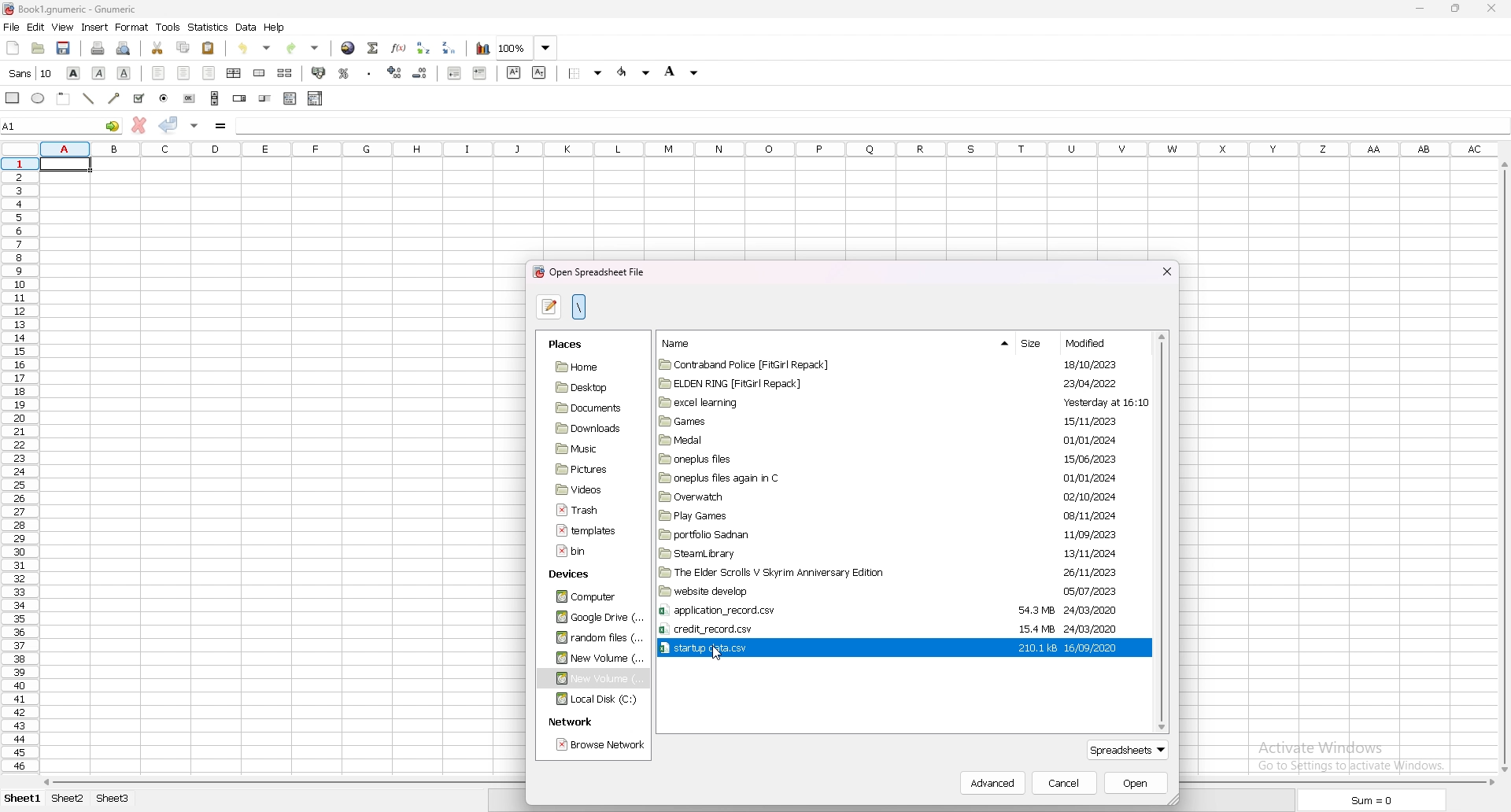  I want to click on italic, so click(99, 73).